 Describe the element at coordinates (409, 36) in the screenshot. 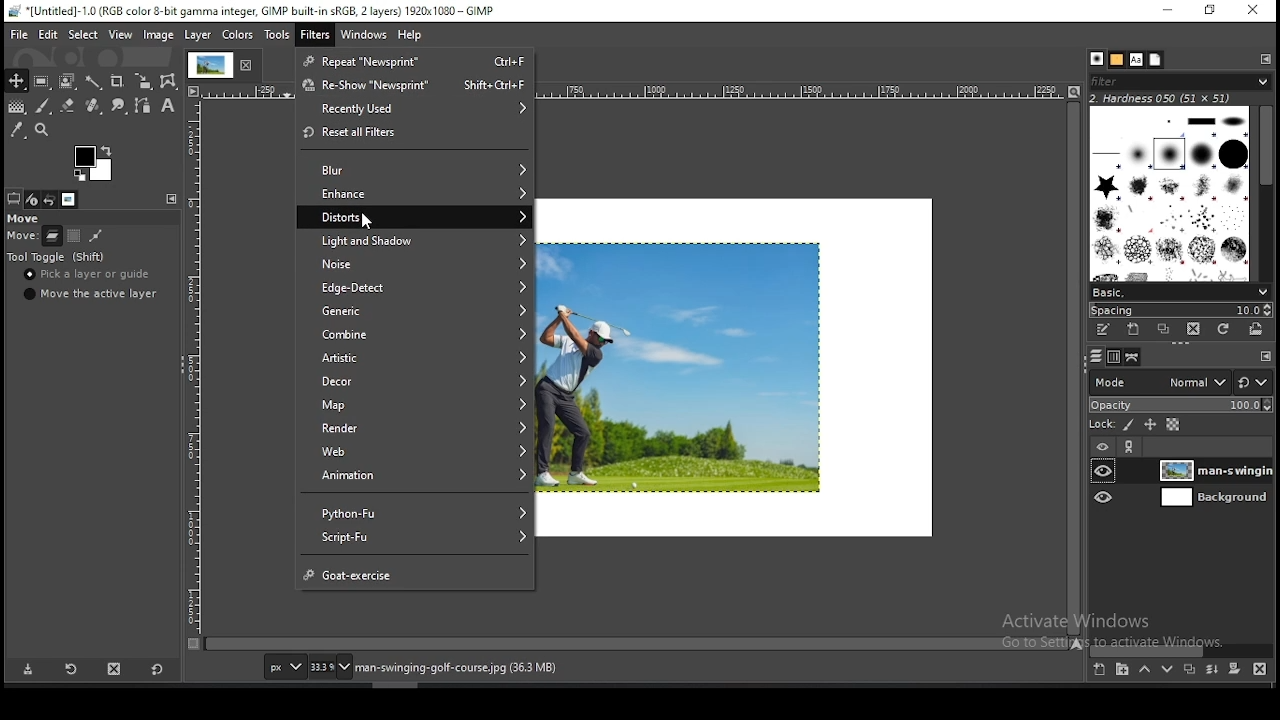

I see `help` at that location.